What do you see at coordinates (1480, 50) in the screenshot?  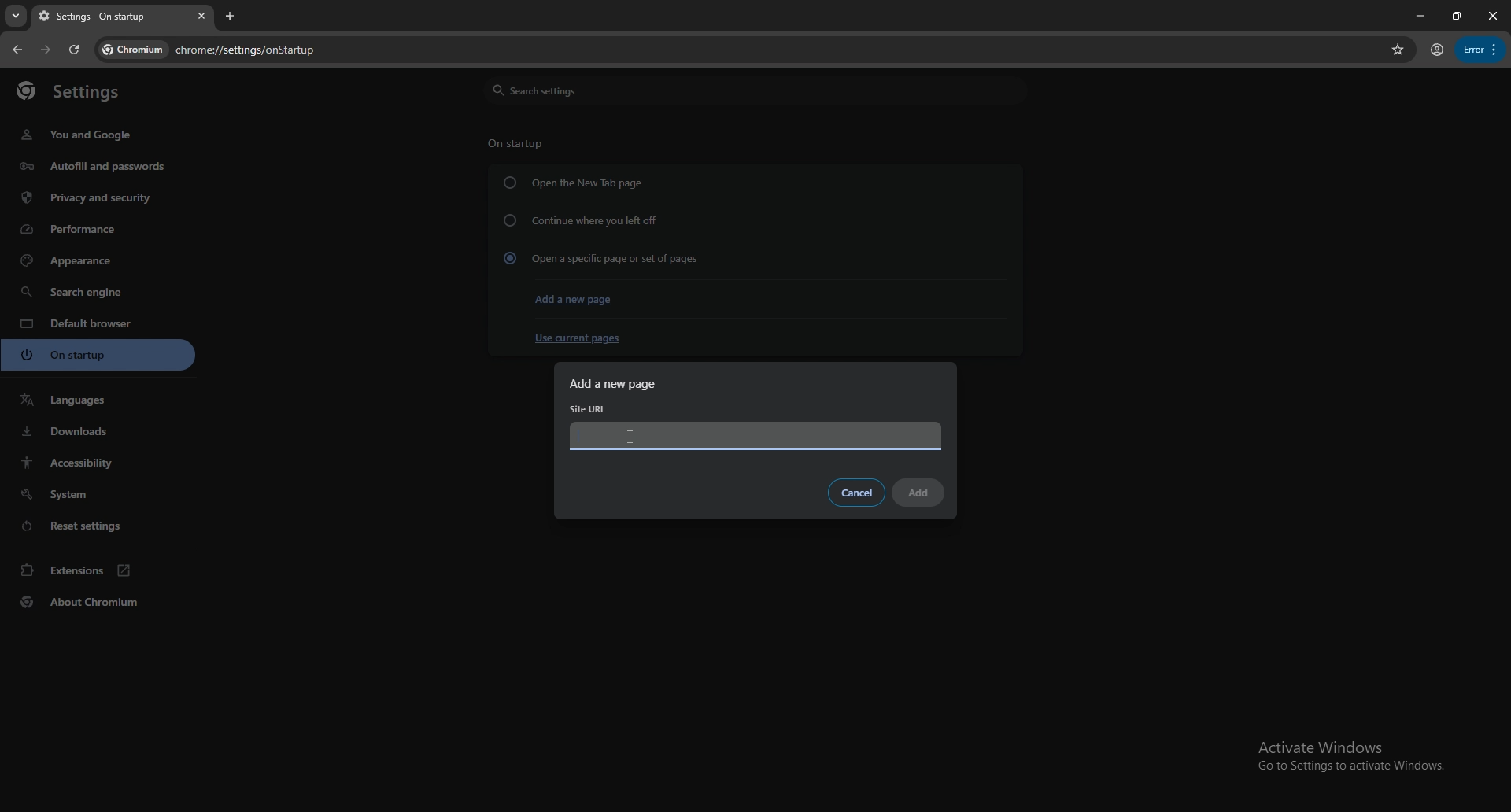 I see `options` at bounding box center [1480, 50].